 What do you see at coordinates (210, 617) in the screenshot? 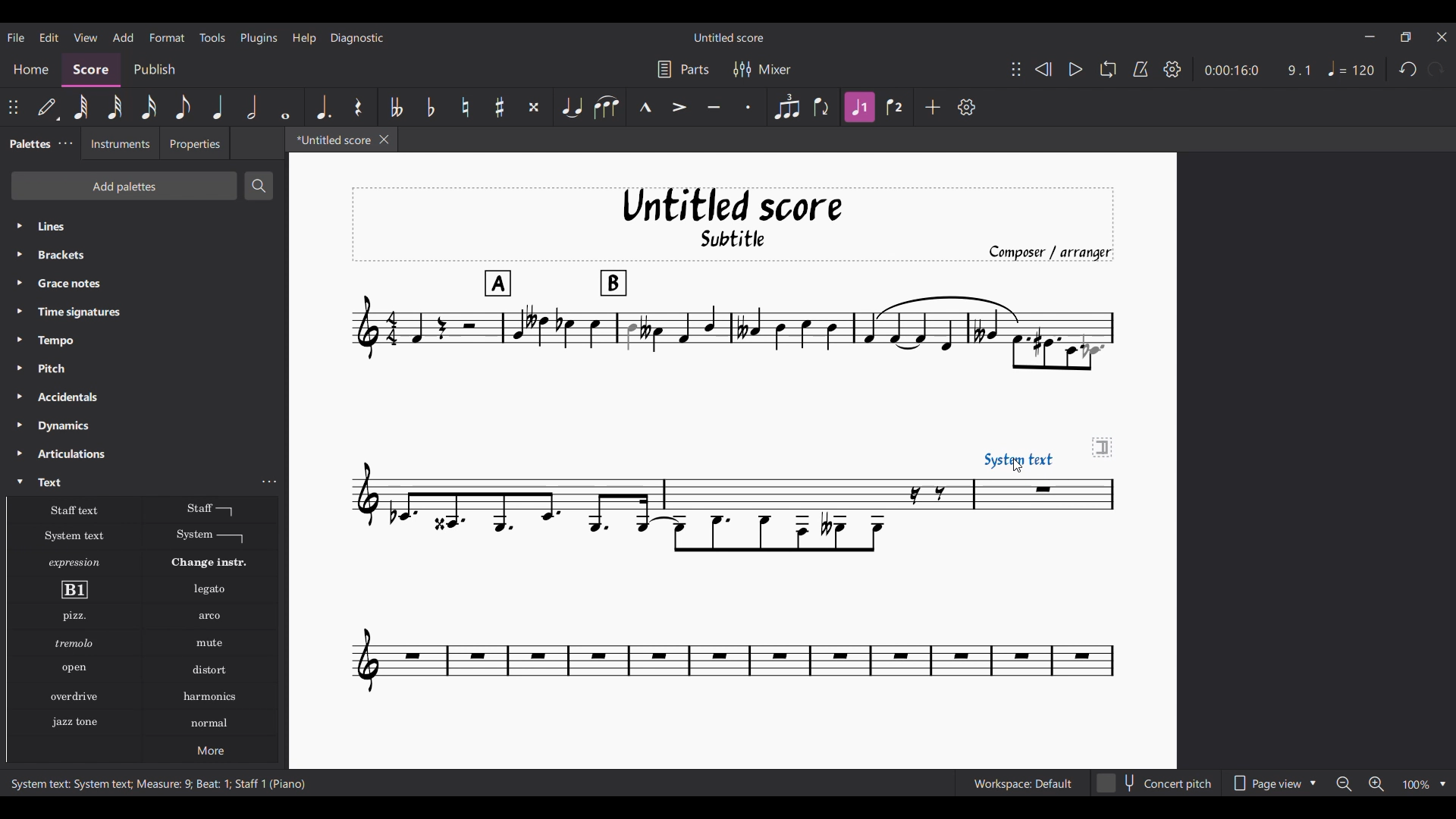
I see `Arko` at bounding box center [210, 617].